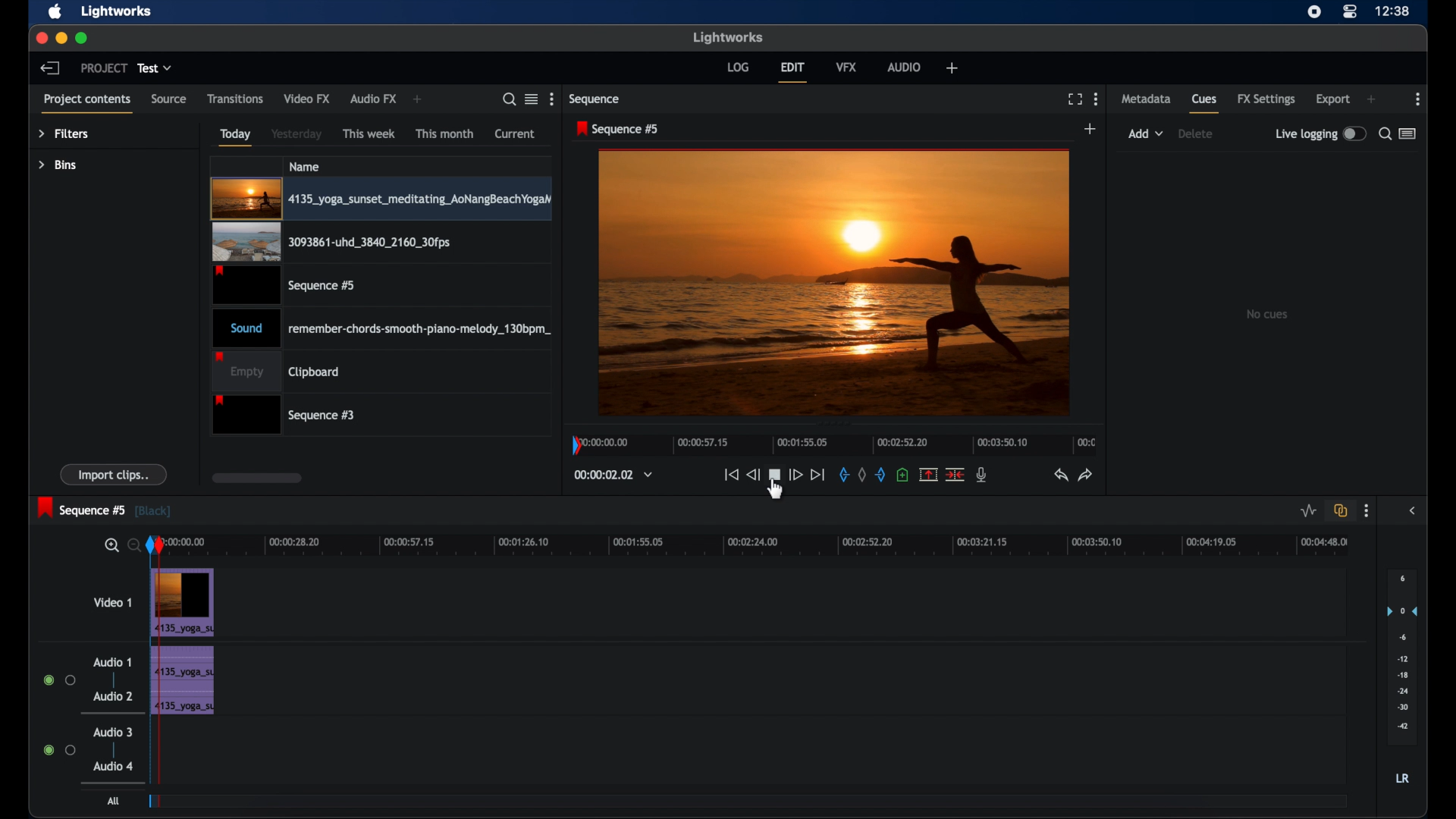 The height and width of the screenshot is (819, 1456). Describe the element at coordinates (181, 661) in the screenshot. I see `audio clip` at that location.